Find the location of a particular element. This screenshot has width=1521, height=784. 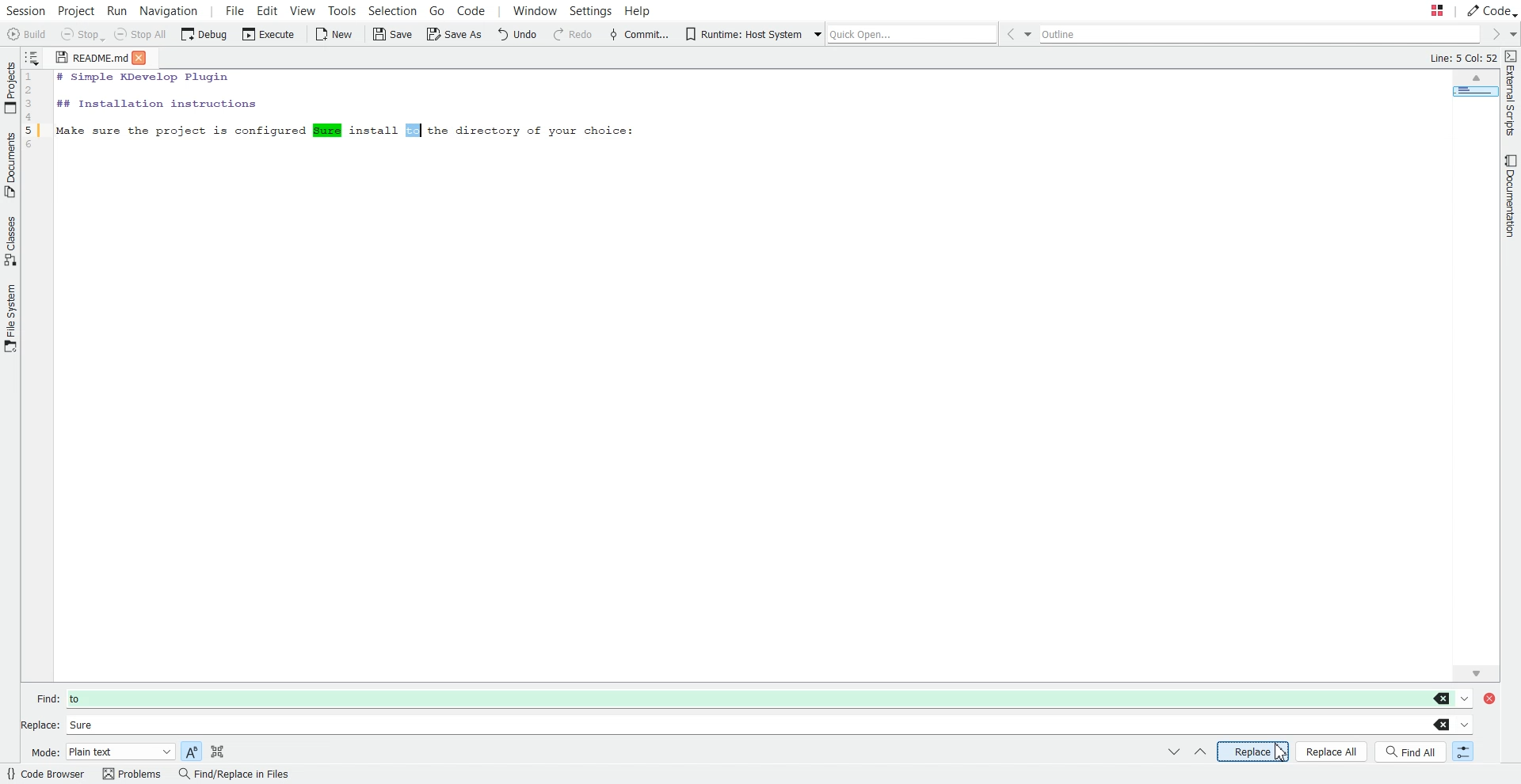

Switch to next is located at coordinates (1174, 752).